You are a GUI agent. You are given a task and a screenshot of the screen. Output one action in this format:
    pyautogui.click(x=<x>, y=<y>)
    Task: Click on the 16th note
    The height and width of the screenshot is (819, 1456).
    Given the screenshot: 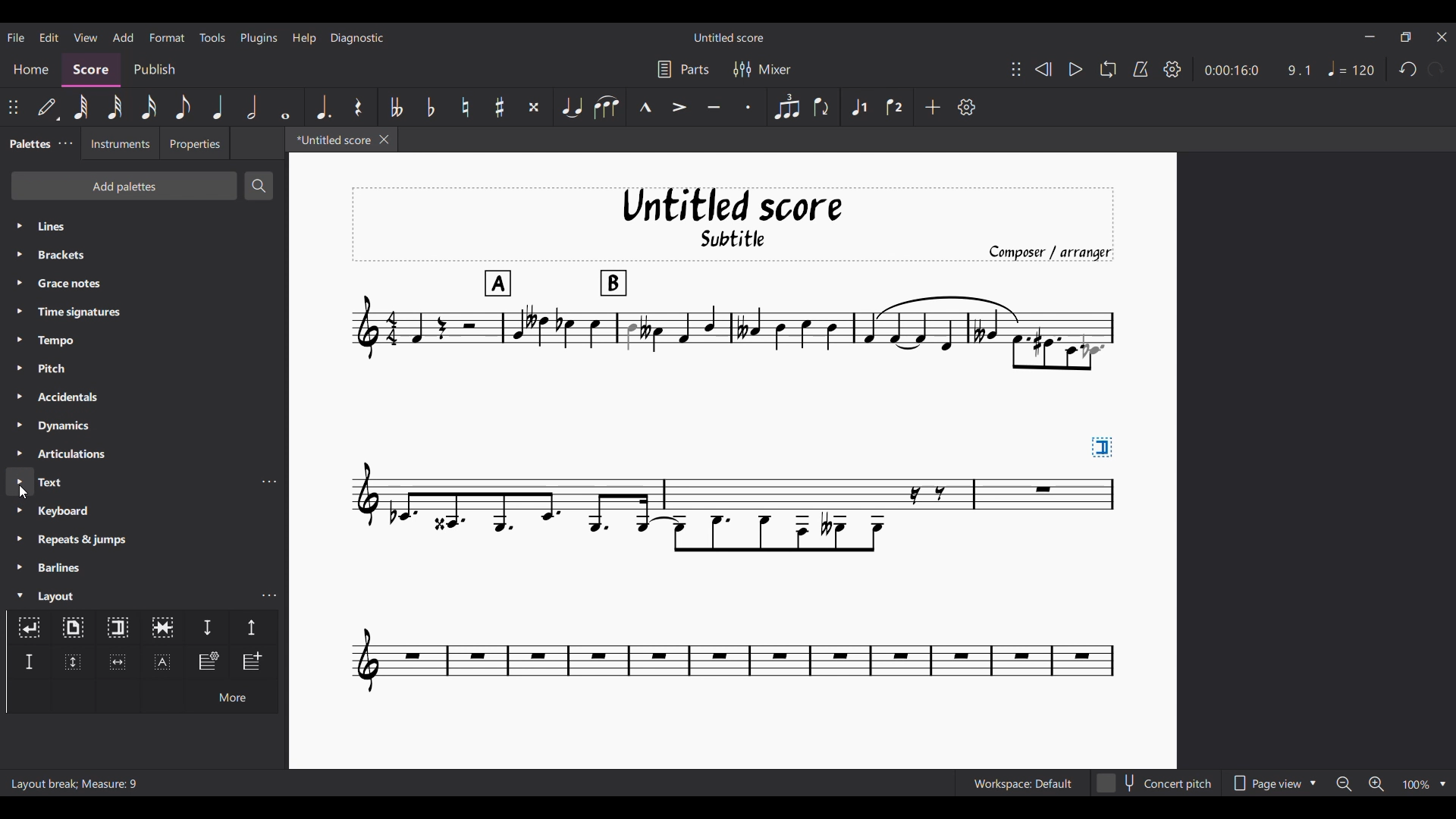 What is the action you would take?
    pyautogui.click(x=149, y=107)
    